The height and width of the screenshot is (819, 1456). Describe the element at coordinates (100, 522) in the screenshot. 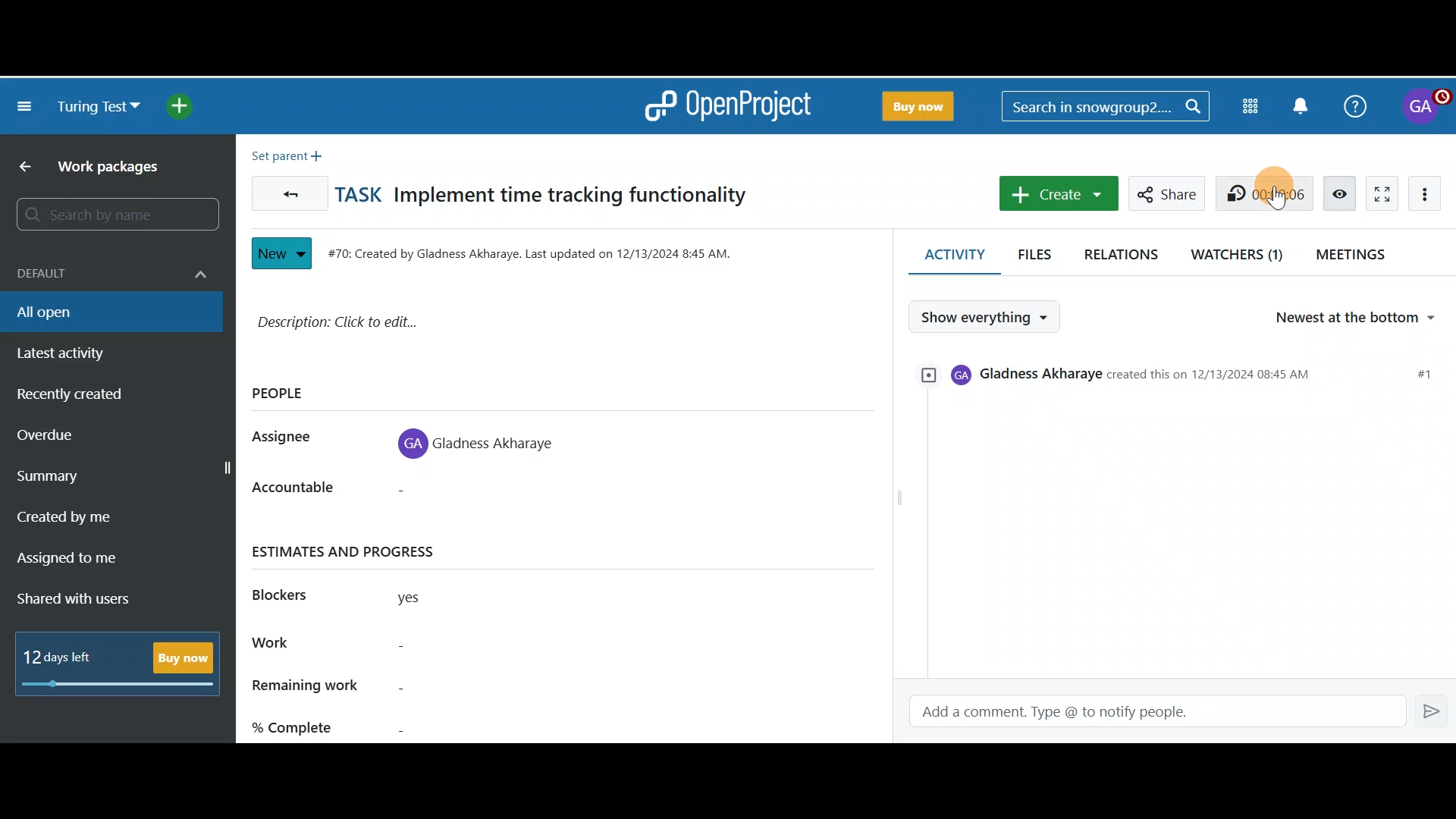

I see `Created by me` at that location.